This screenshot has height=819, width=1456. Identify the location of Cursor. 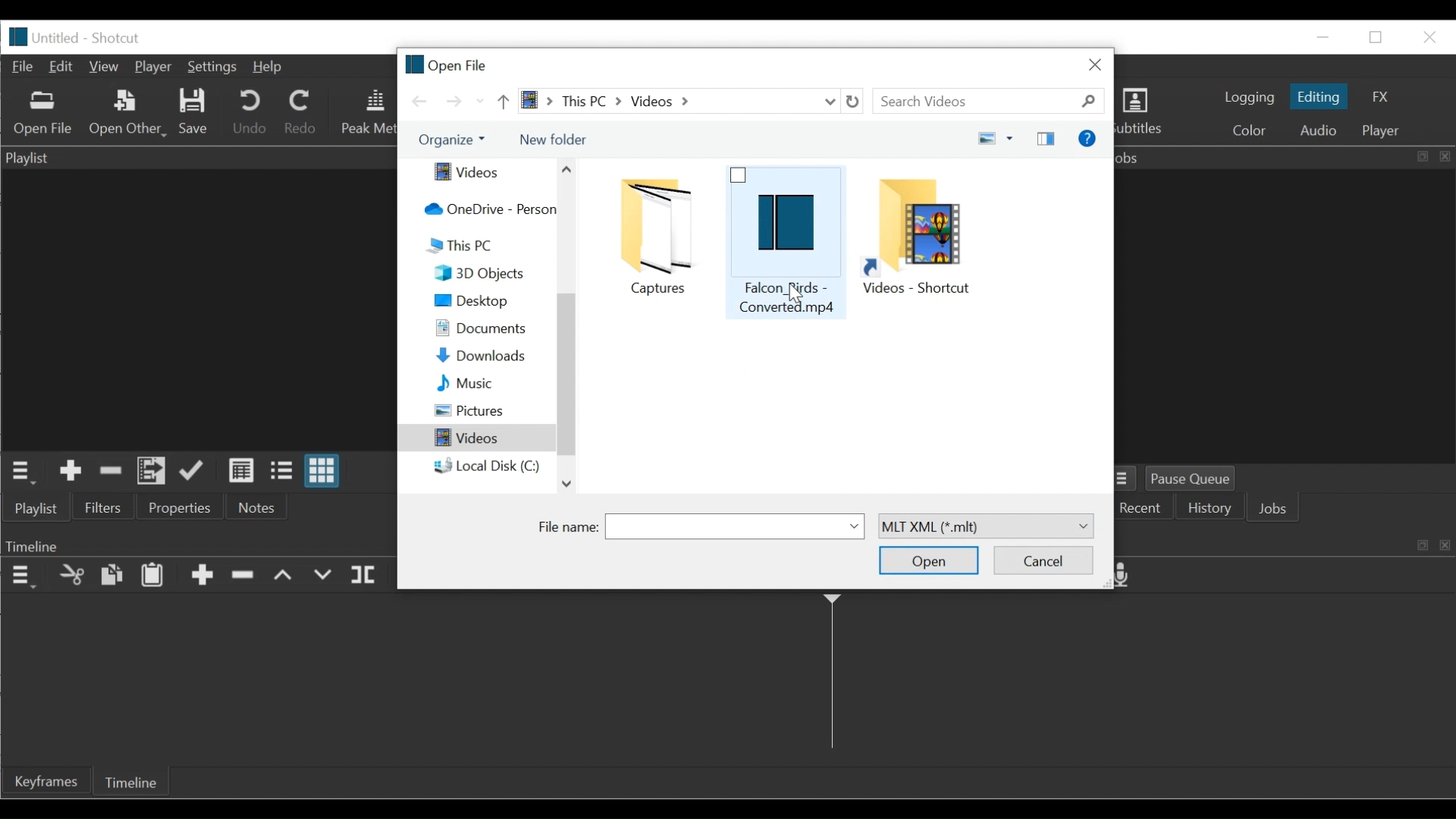
(799, 293).